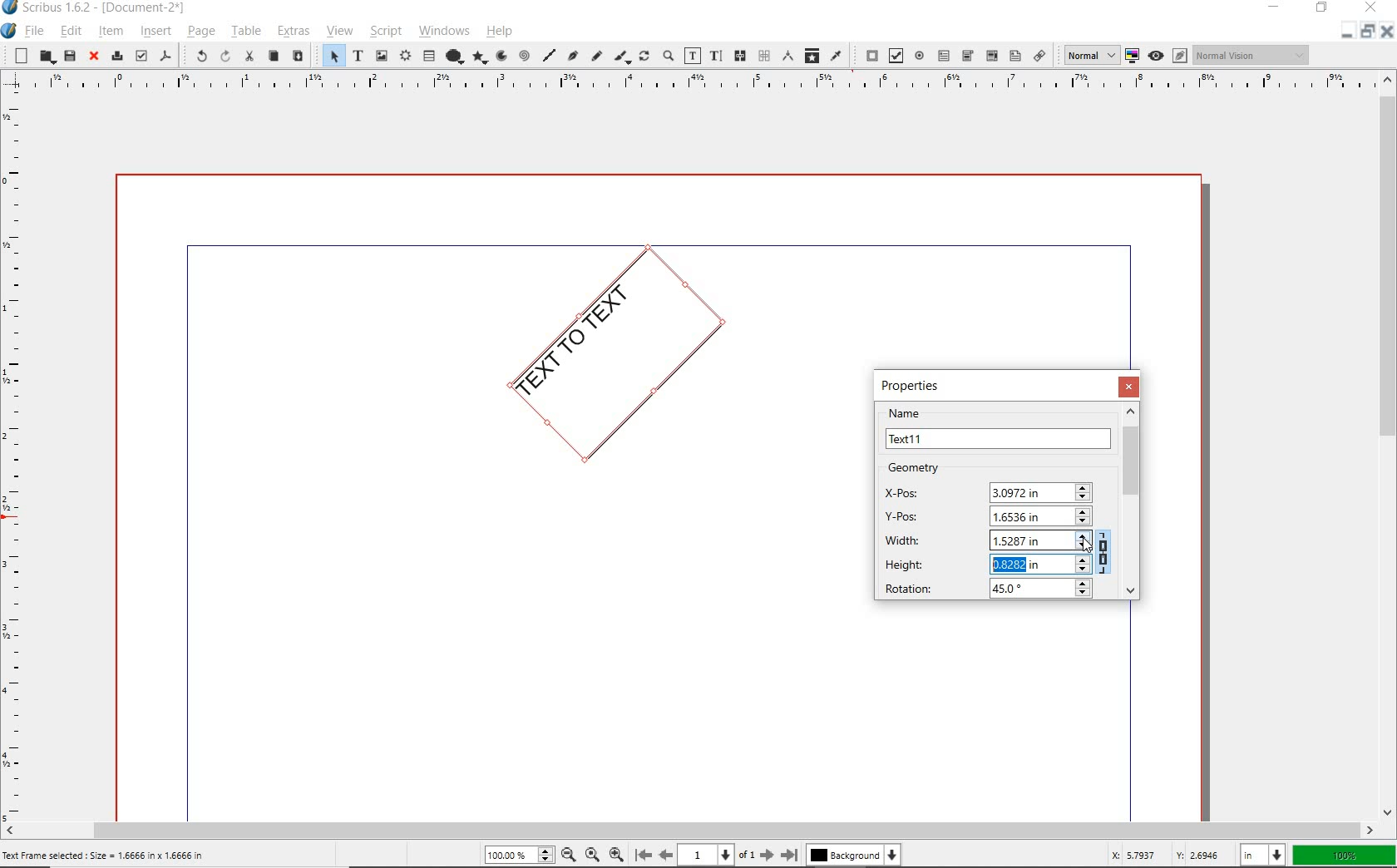 The width and height of the screenshot is (1397, 868). What do you see at coordinates (999, 428) in the screenshot?
I see `NAME` at bounding box center [999, 428].